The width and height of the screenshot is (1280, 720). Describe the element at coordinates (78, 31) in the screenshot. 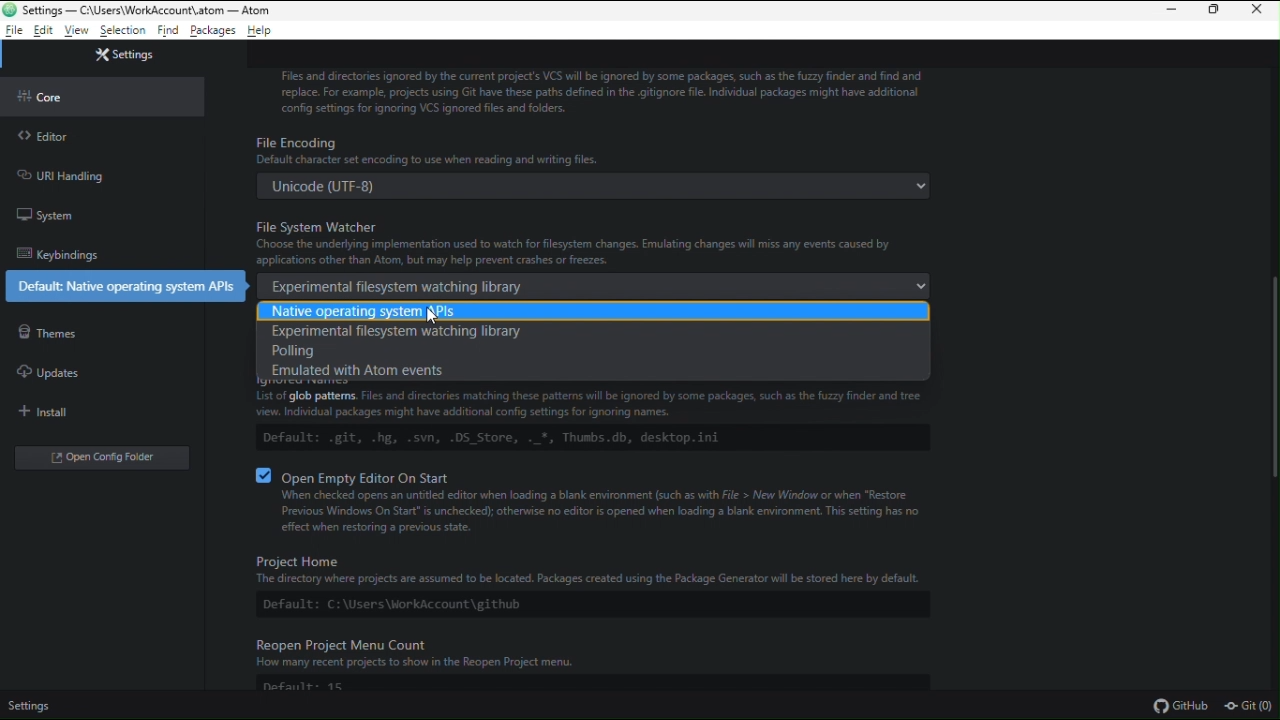

I see `View` at that location.